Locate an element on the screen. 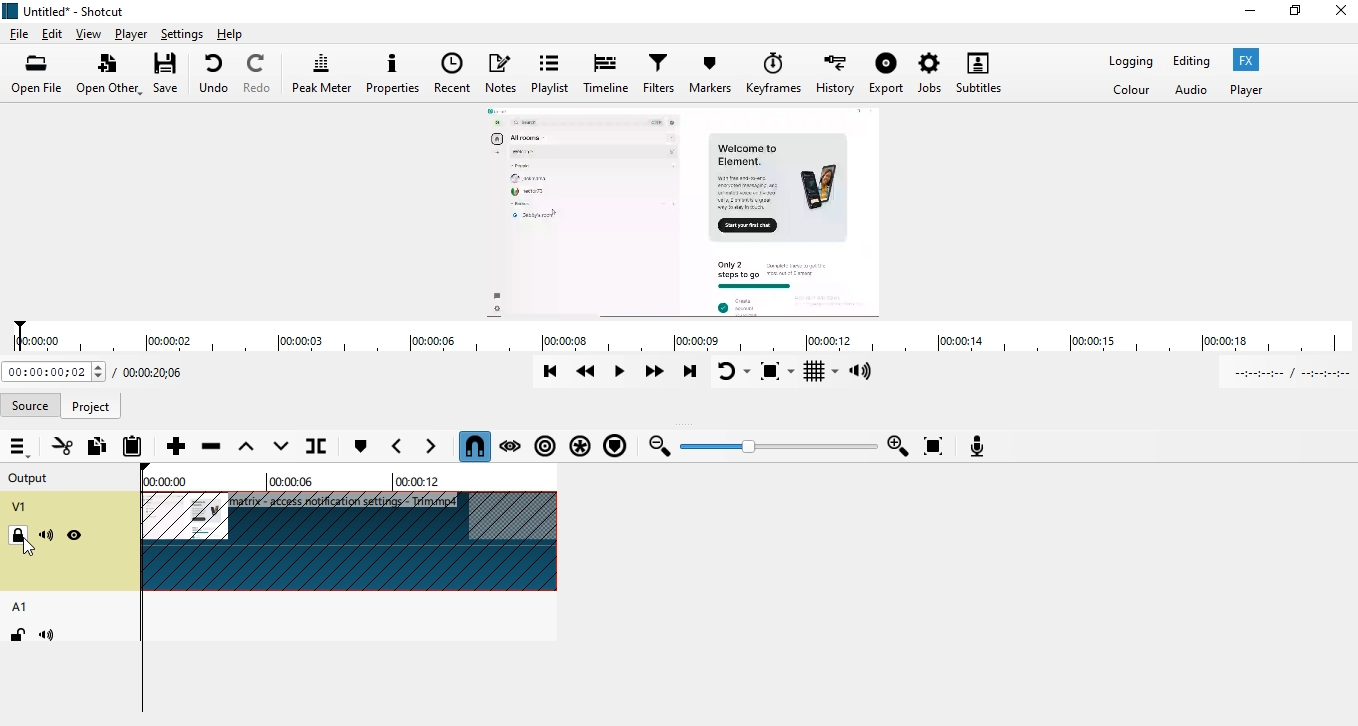 This screenshot has width=1358, height=726. split at playhead is located at coordinates (332, 448).